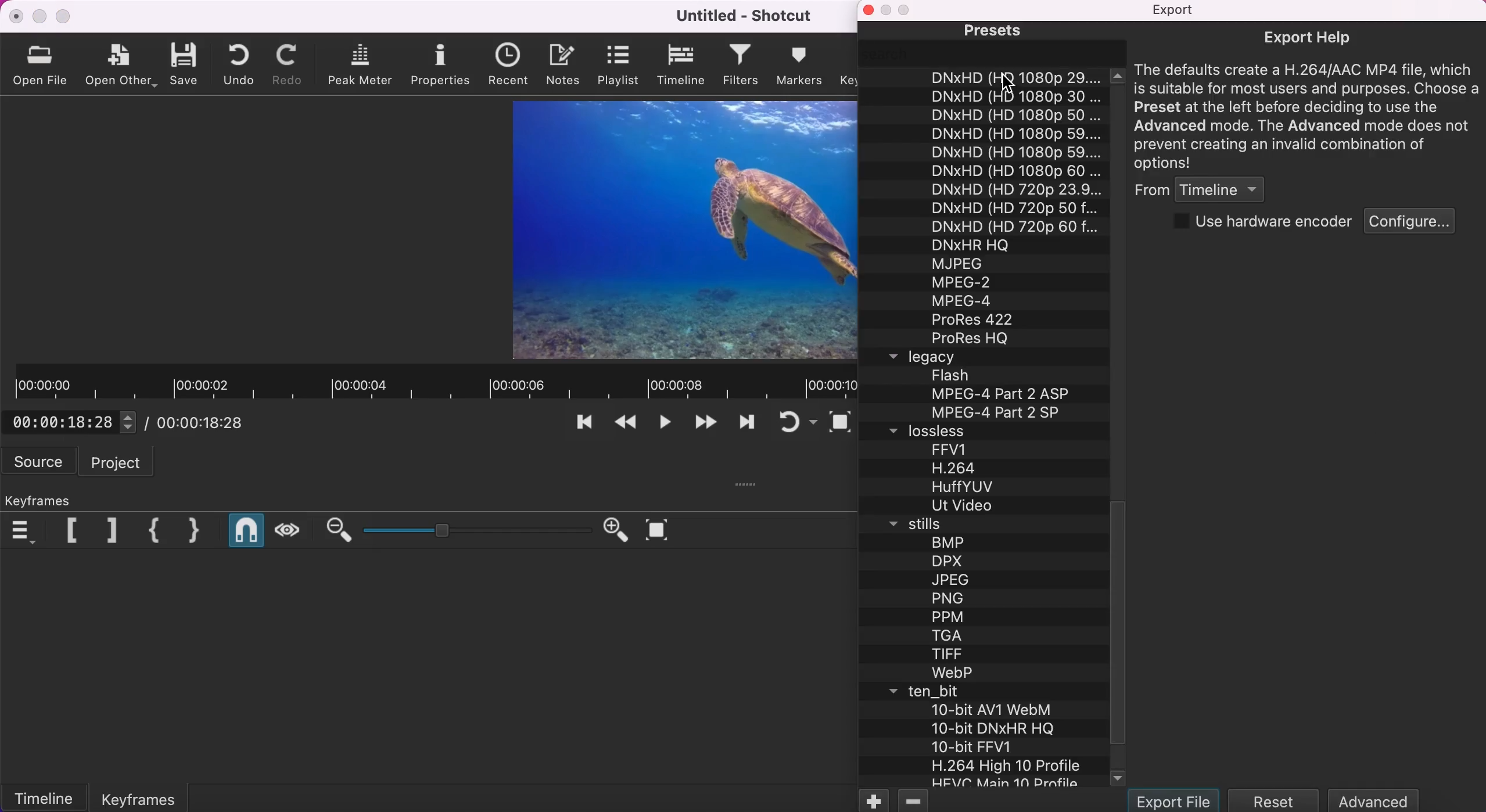 This screenshot has width=1486, height=812. I want to click on close keyframe, so click(196, 531).